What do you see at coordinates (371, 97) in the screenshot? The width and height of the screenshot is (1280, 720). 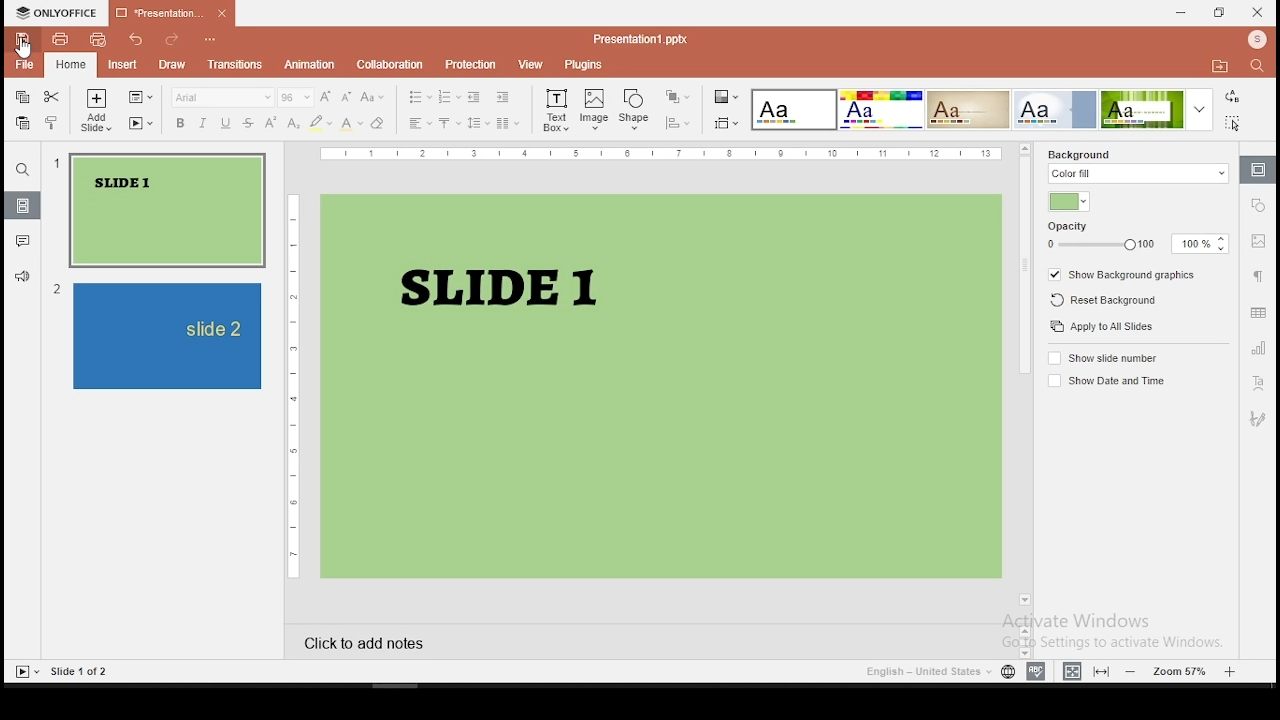 I see `change case` at bounding box center [371, 97].